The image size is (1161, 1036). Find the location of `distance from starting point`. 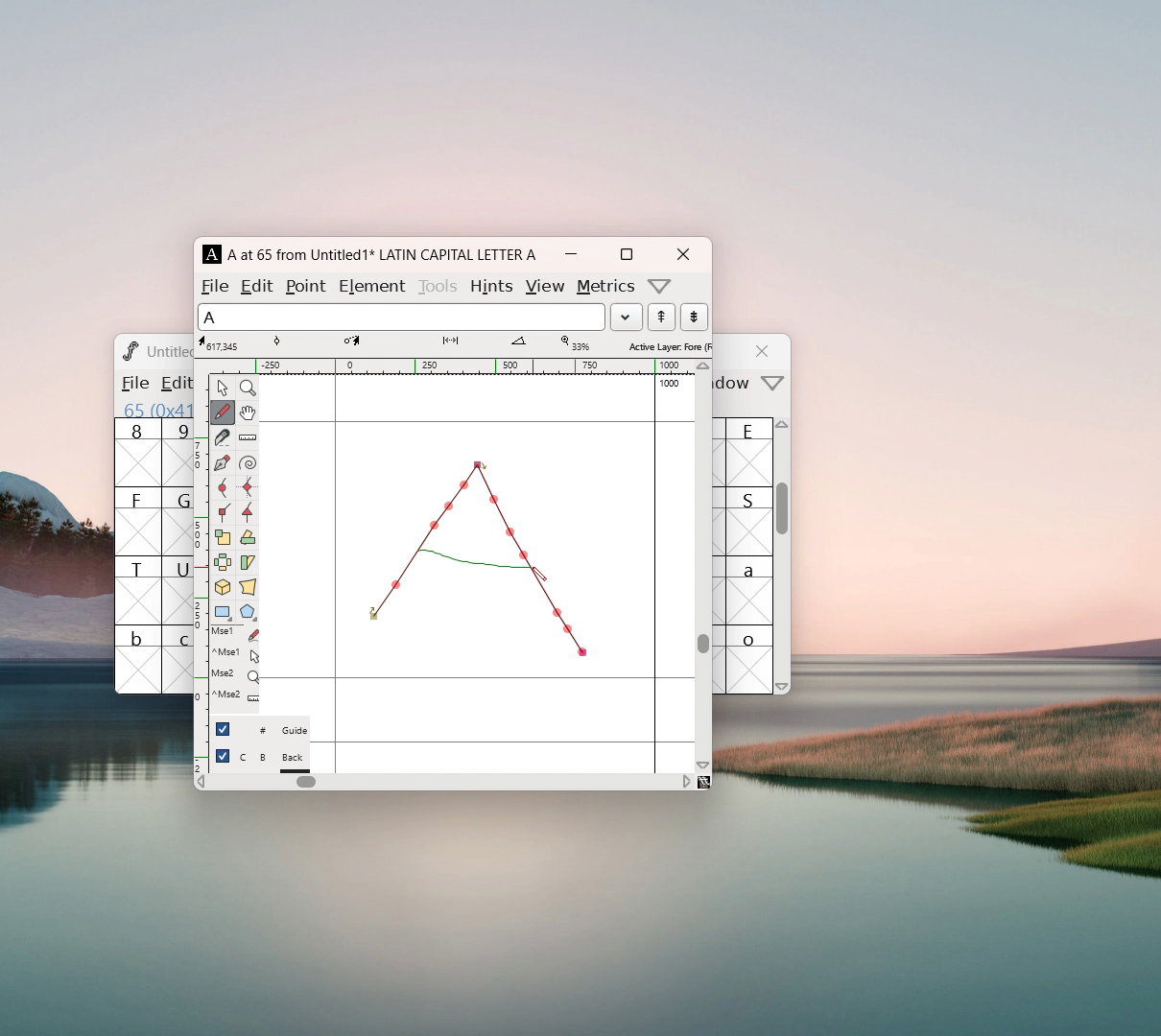

distance from starting point is located at coordinates (466, 345).